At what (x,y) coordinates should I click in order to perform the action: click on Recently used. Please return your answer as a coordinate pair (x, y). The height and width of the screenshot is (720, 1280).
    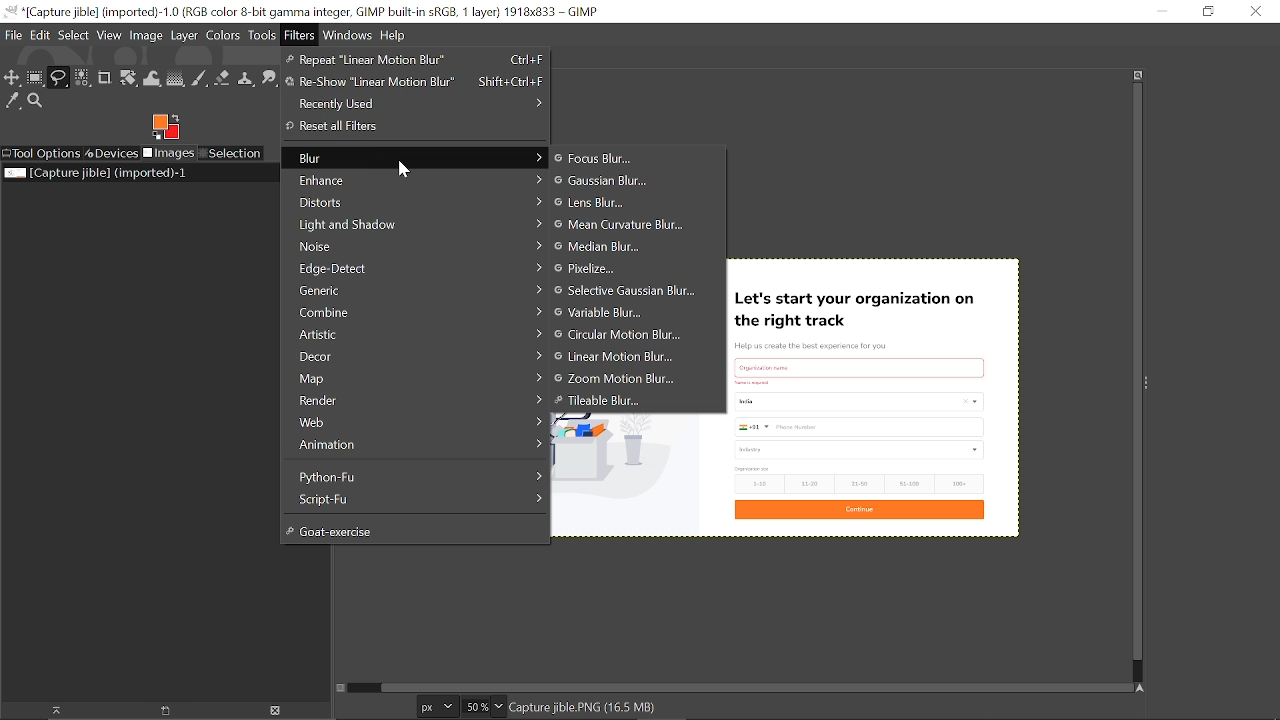
    Looking at the image, I should click on (415, 104).